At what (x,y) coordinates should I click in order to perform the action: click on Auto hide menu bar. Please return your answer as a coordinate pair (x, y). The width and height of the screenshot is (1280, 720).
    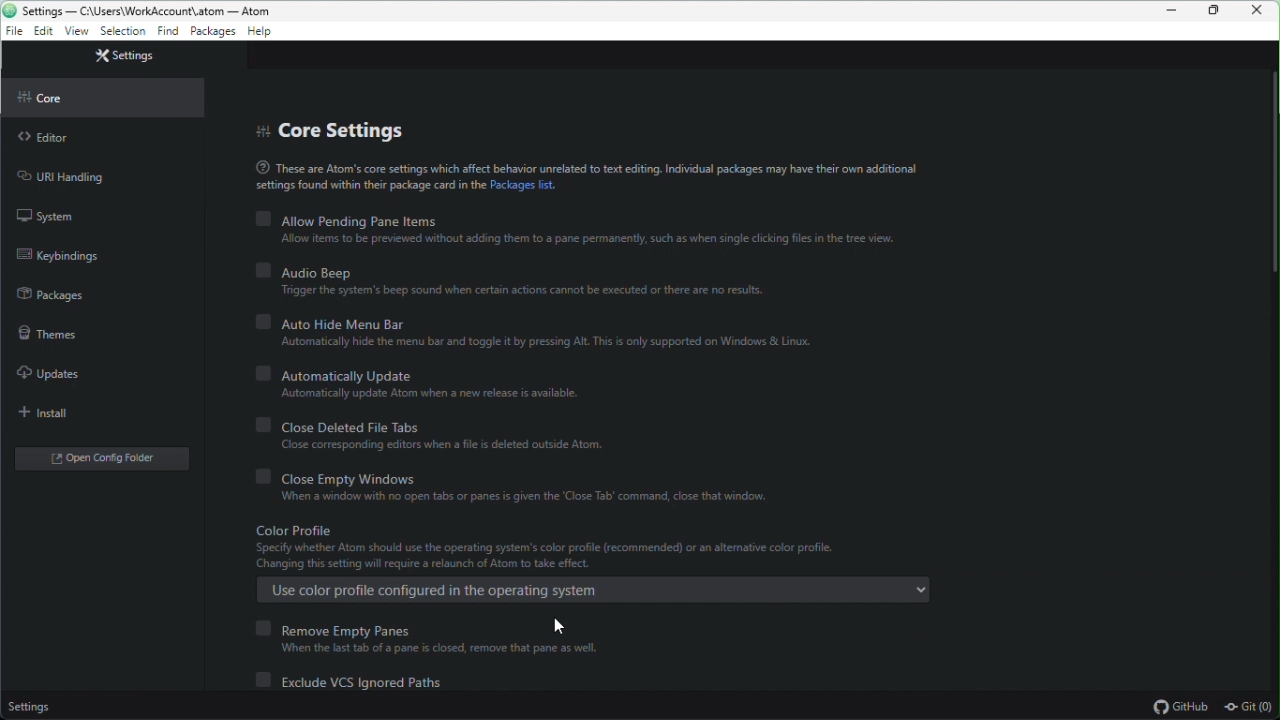
    Looking at the image, I should click on (543, 333).